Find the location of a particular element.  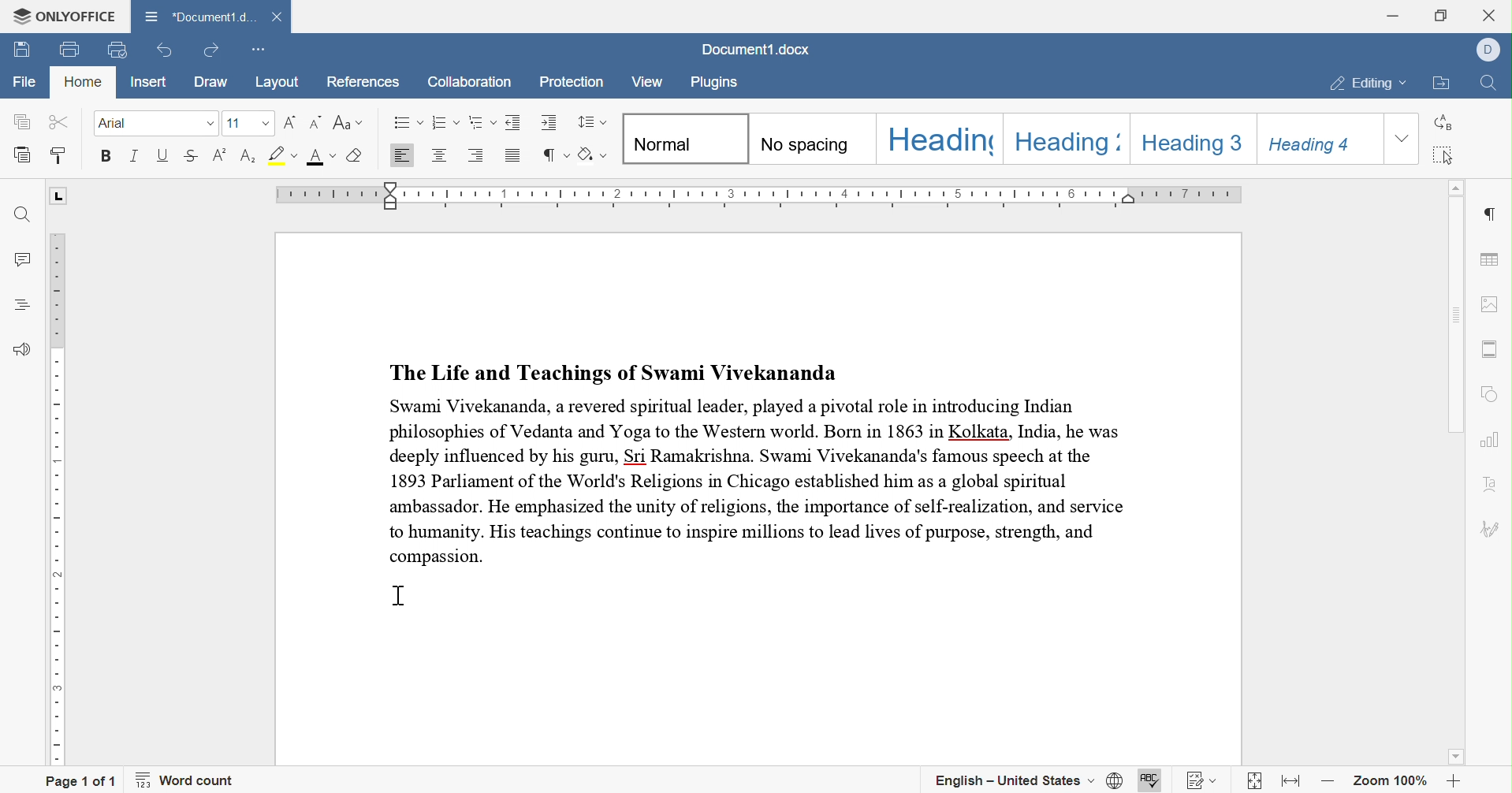

page 1 of 1 is located at coordinates (81, 781).